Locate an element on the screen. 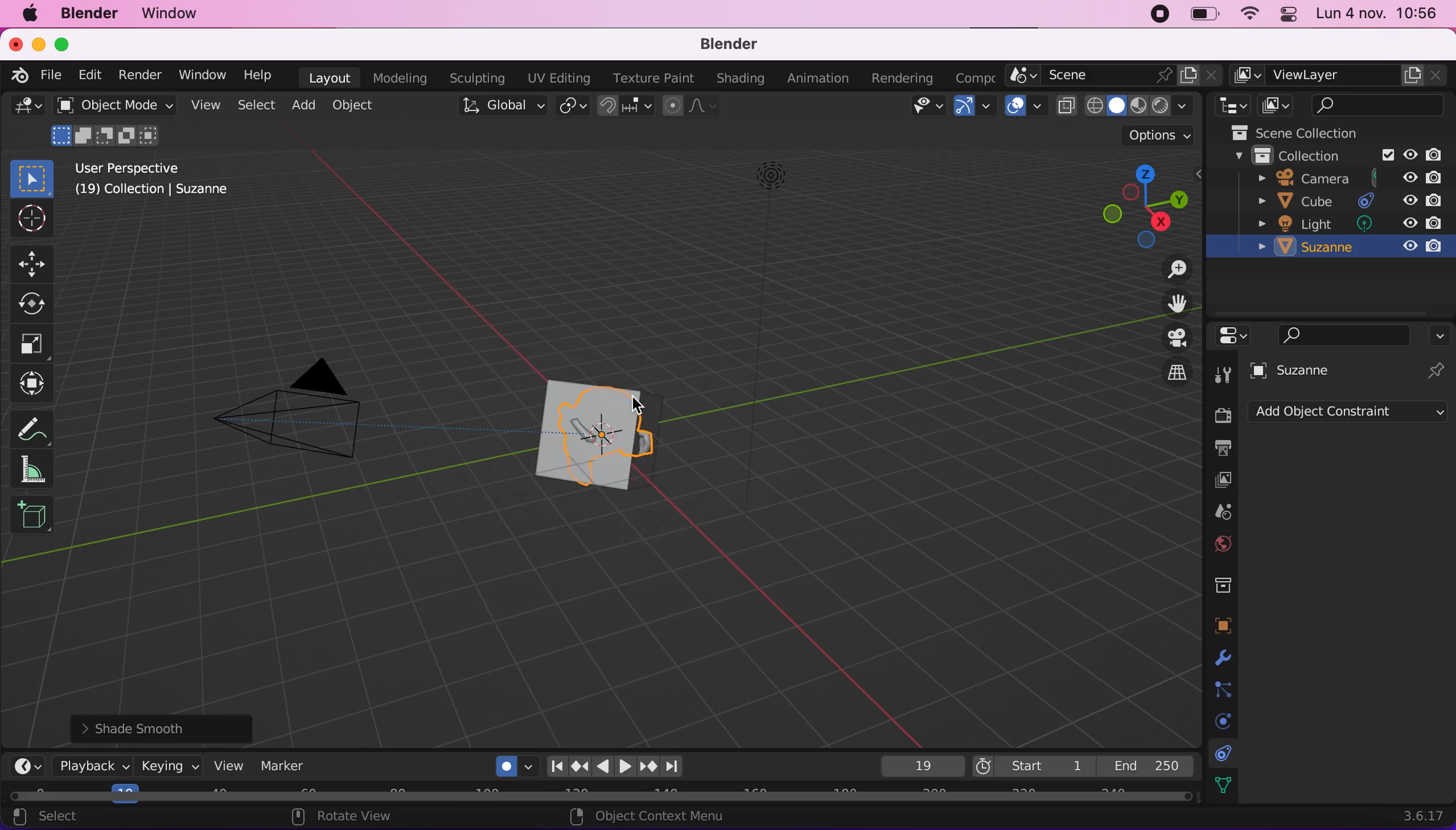 The height and width of the screenshot is (830, 1456). uv editing is located at coordinates (558, 78).